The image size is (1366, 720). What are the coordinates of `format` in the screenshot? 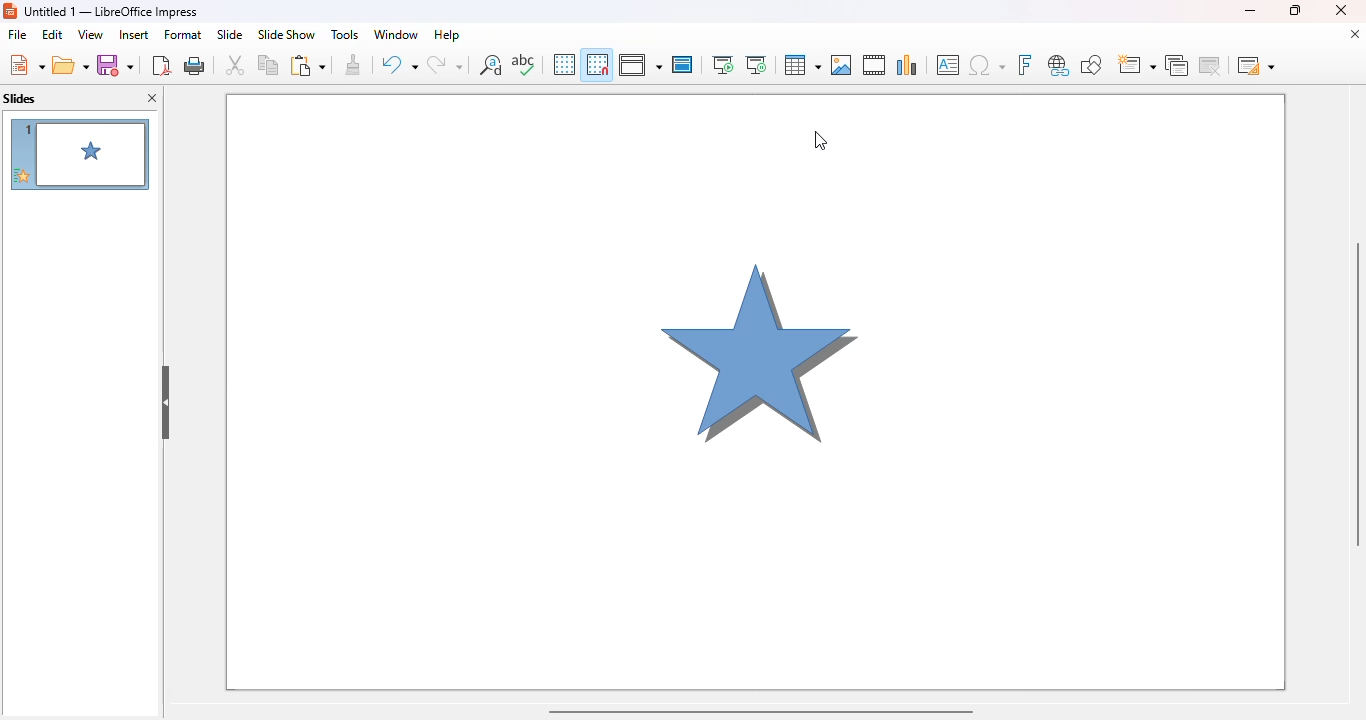 It's located at (183, 34).